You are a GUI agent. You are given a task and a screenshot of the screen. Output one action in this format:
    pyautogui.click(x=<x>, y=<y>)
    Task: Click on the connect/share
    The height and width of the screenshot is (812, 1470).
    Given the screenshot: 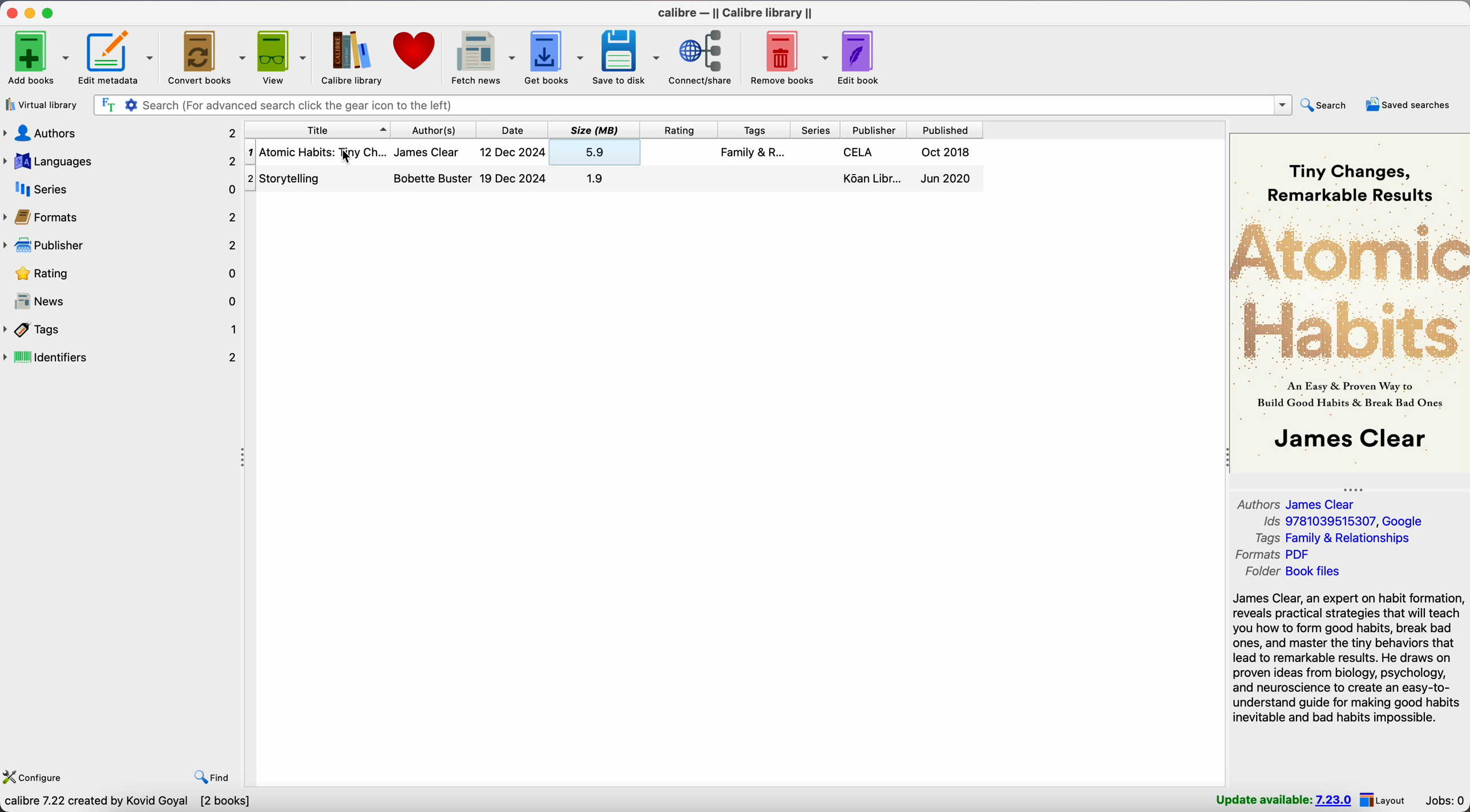 What is the action you would take?
    pyautogui.click(x=704, y=58)
    